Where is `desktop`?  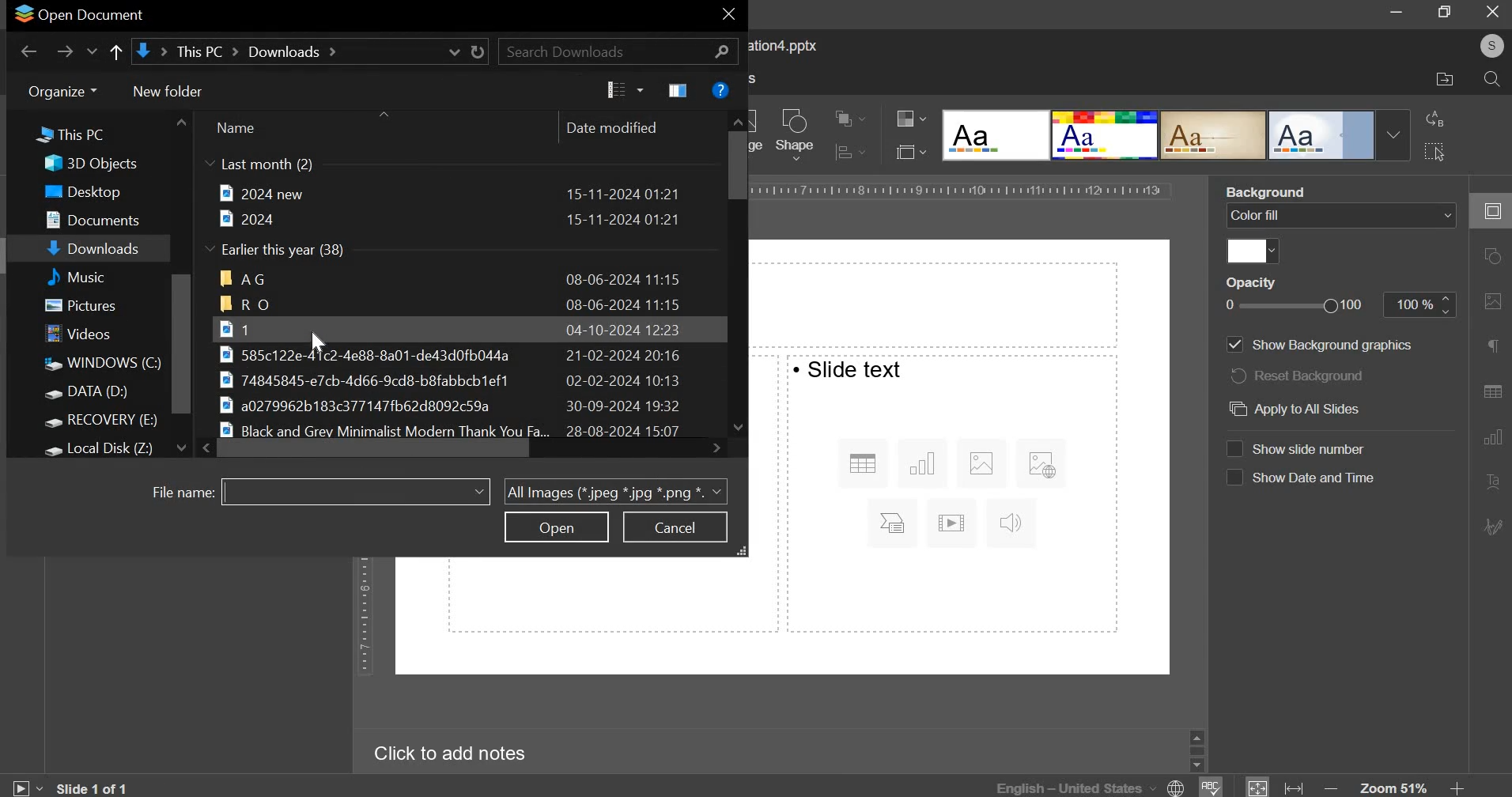 desktop is located at coordinates (93, 192).